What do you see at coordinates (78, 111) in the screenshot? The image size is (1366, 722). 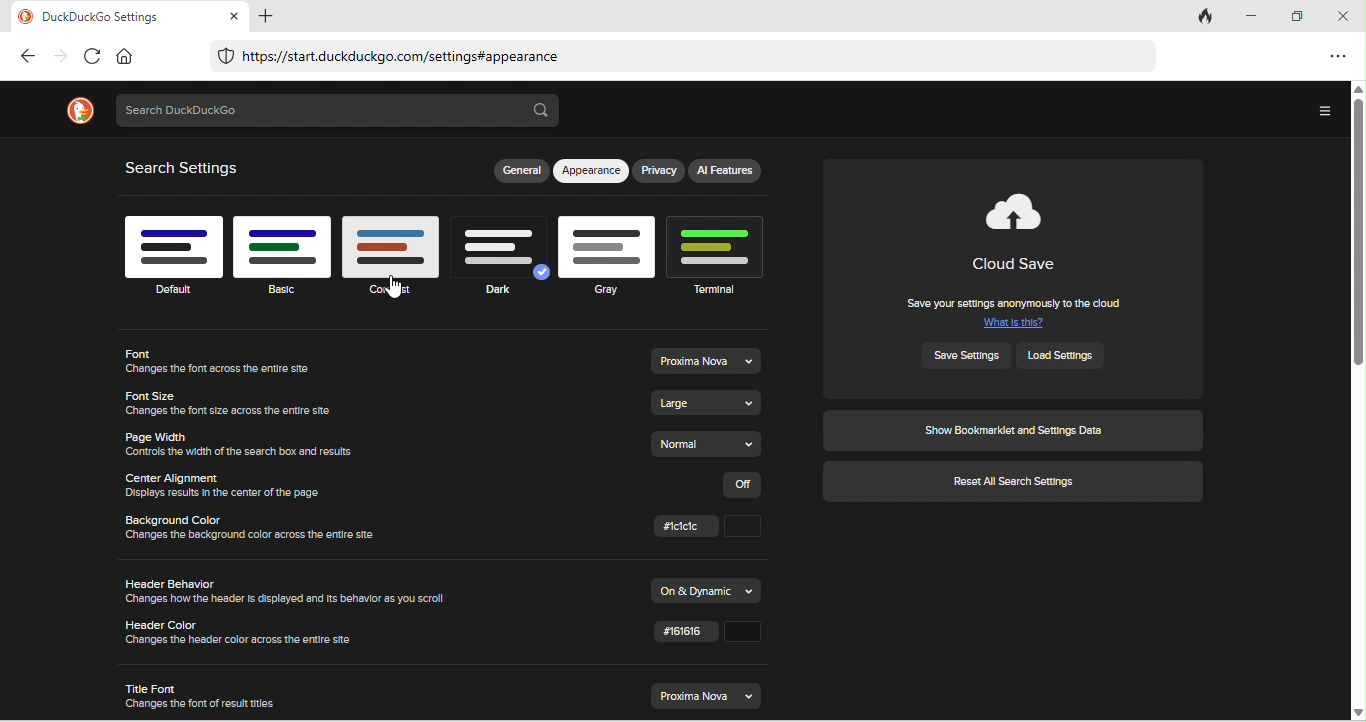 I see `logo` at bounding box center [78, 111].